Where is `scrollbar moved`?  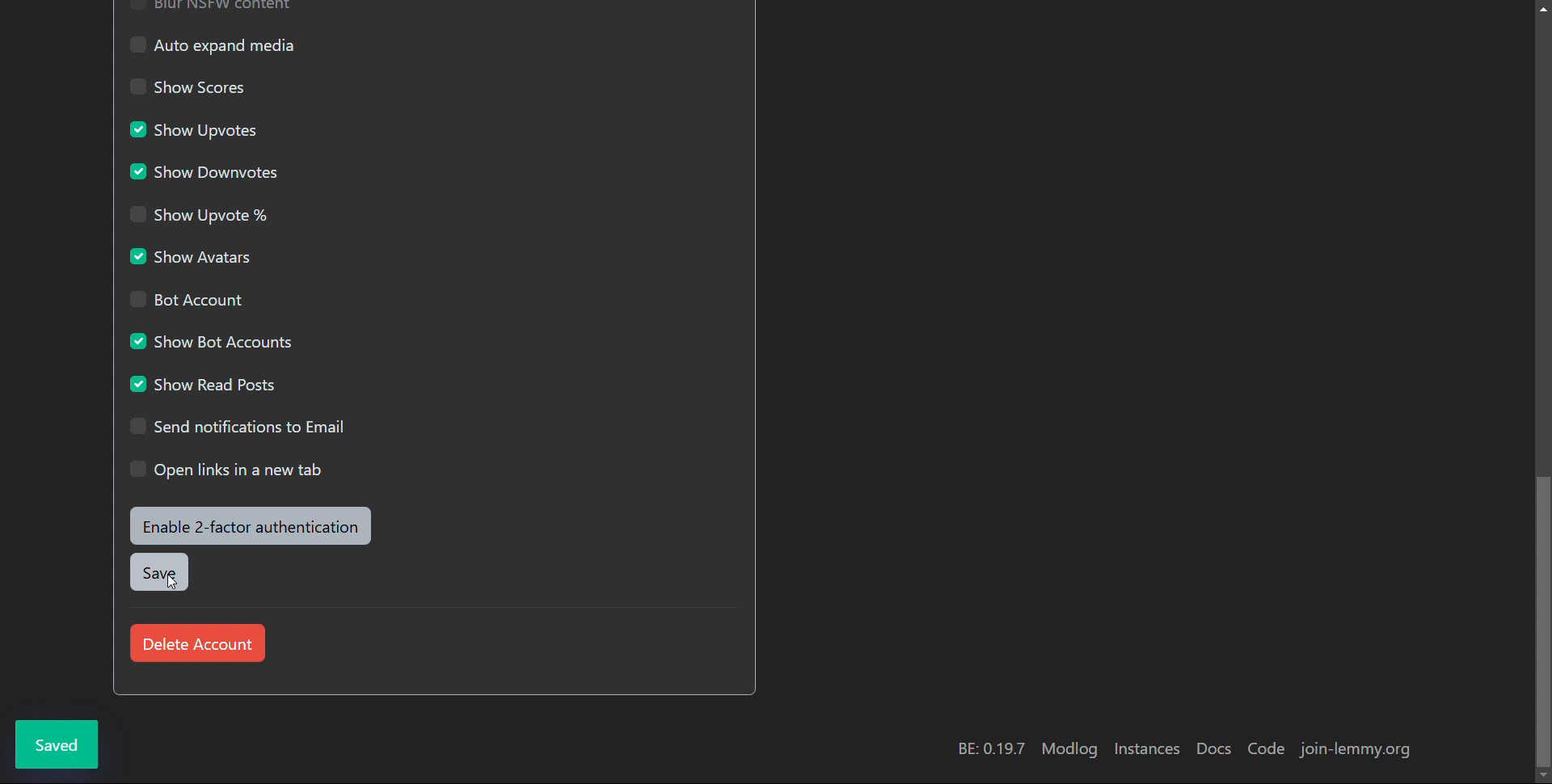 scrollbar moved is located at coordinates (1546, 387).